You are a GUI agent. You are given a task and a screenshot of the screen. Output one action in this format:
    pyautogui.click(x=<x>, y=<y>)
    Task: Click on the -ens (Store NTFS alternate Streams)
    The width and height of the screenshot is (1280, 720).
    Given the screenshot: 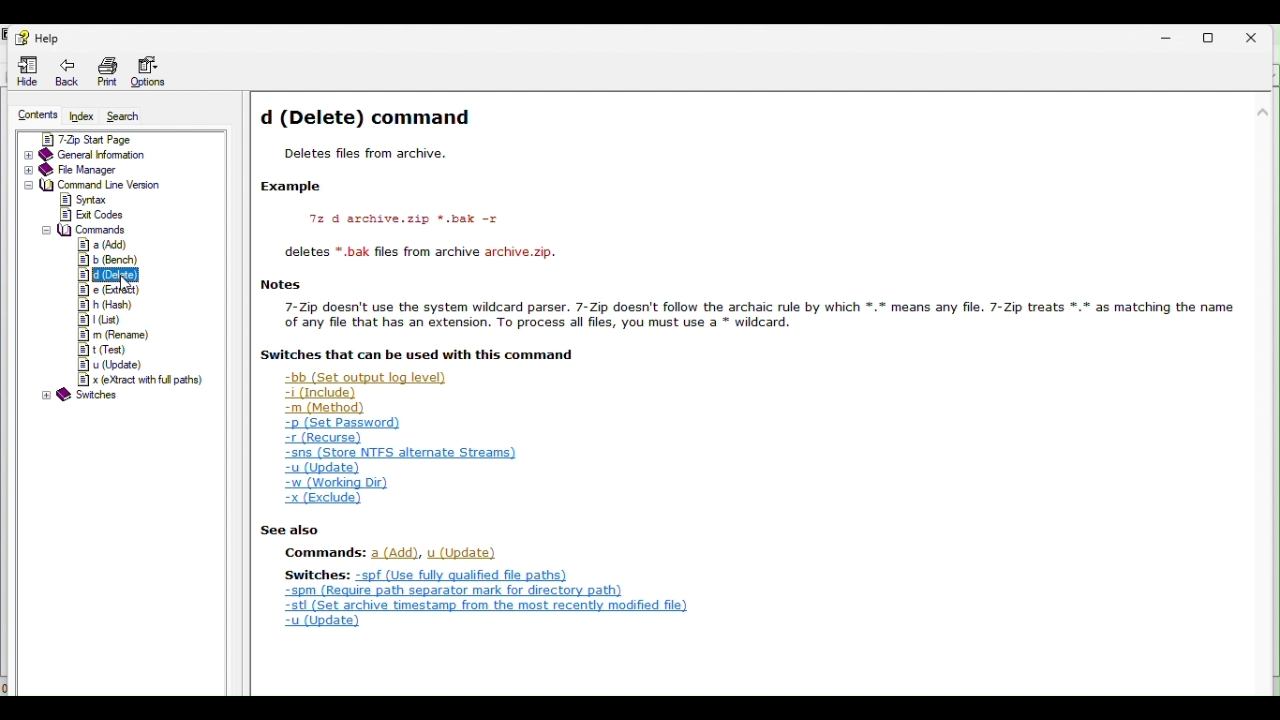 What is the action you would take?
    pyautogui.click(x=405, y=452)
    